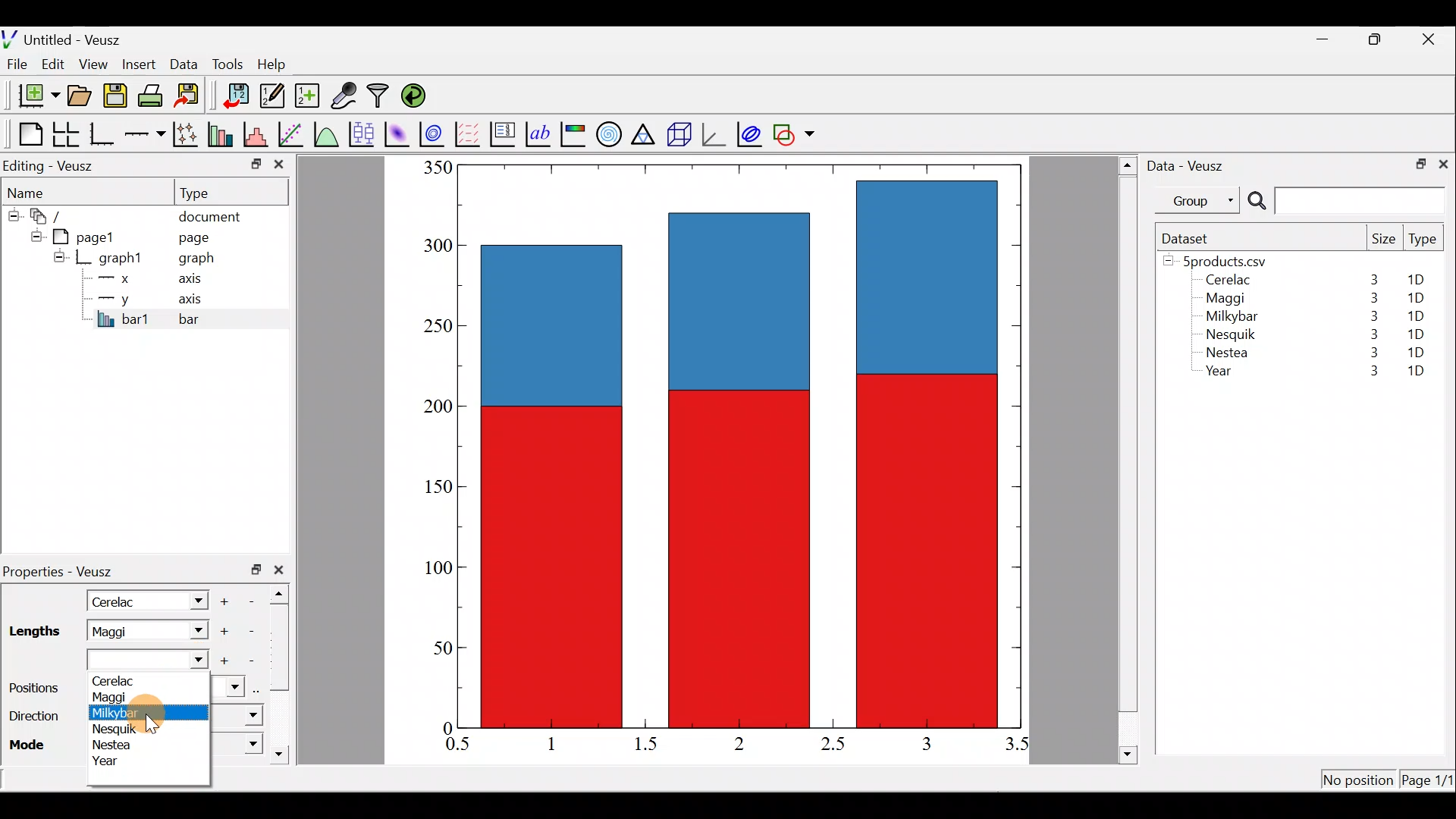 The width and height of the screenshot is (1456, 819). I want to click on Nestea, so click(115, 745).